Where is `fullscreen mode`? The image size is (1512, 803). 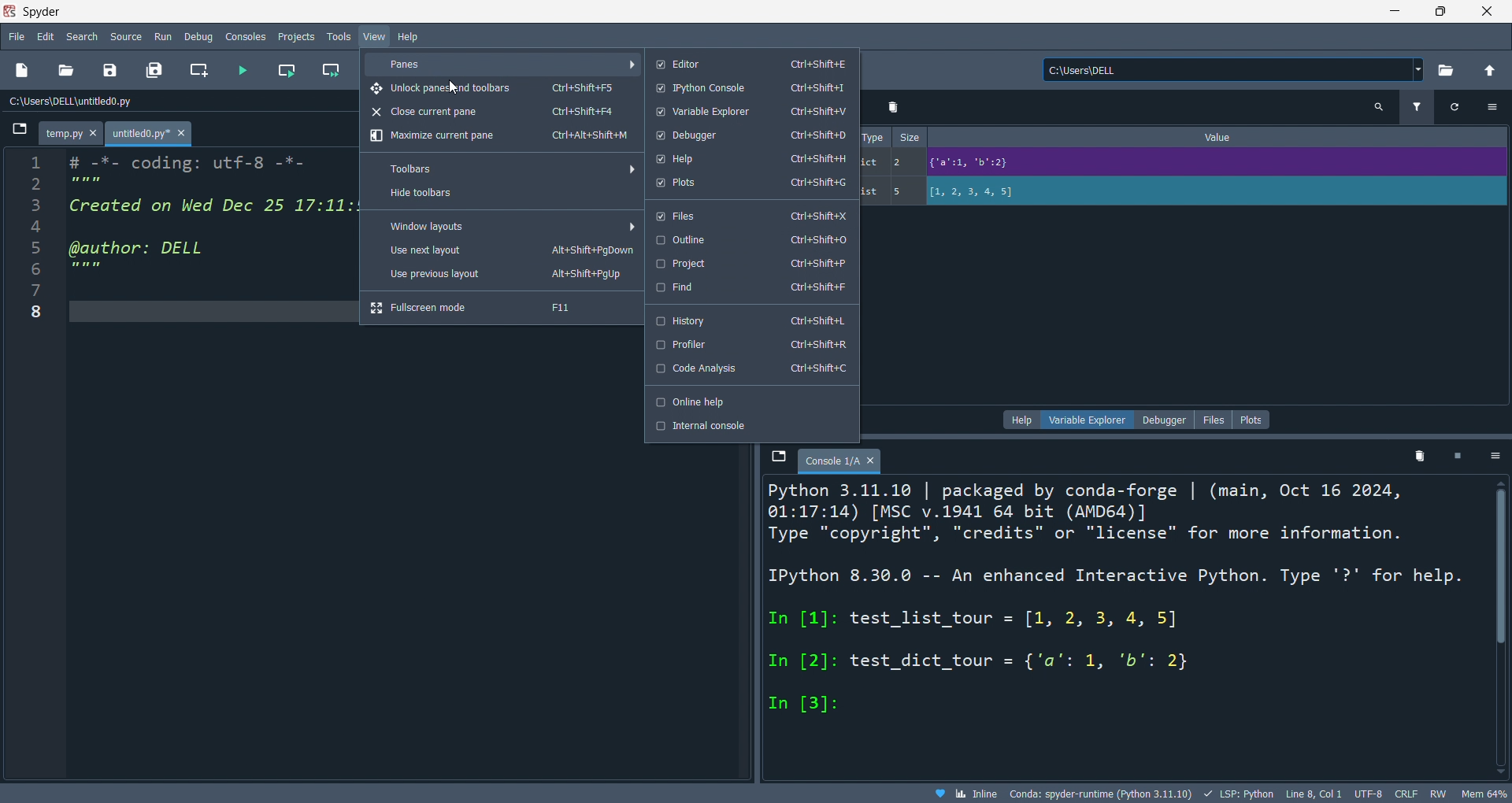
fullscreen mode is located at coordinates (500, 308).